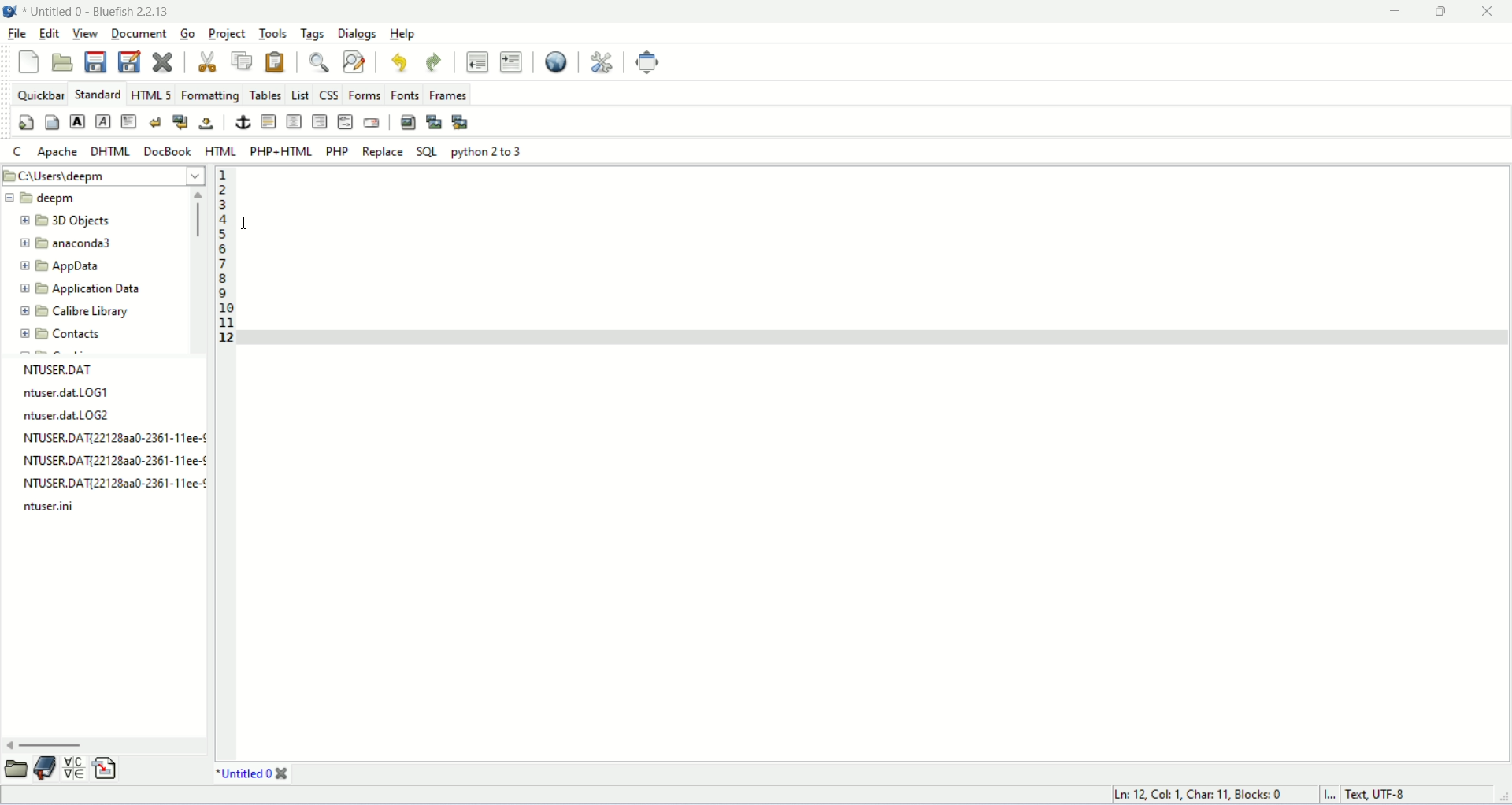  What do you see at coordinates (447, 95) in the screenshot?
I see `frames` at bounding box center [447, 95].